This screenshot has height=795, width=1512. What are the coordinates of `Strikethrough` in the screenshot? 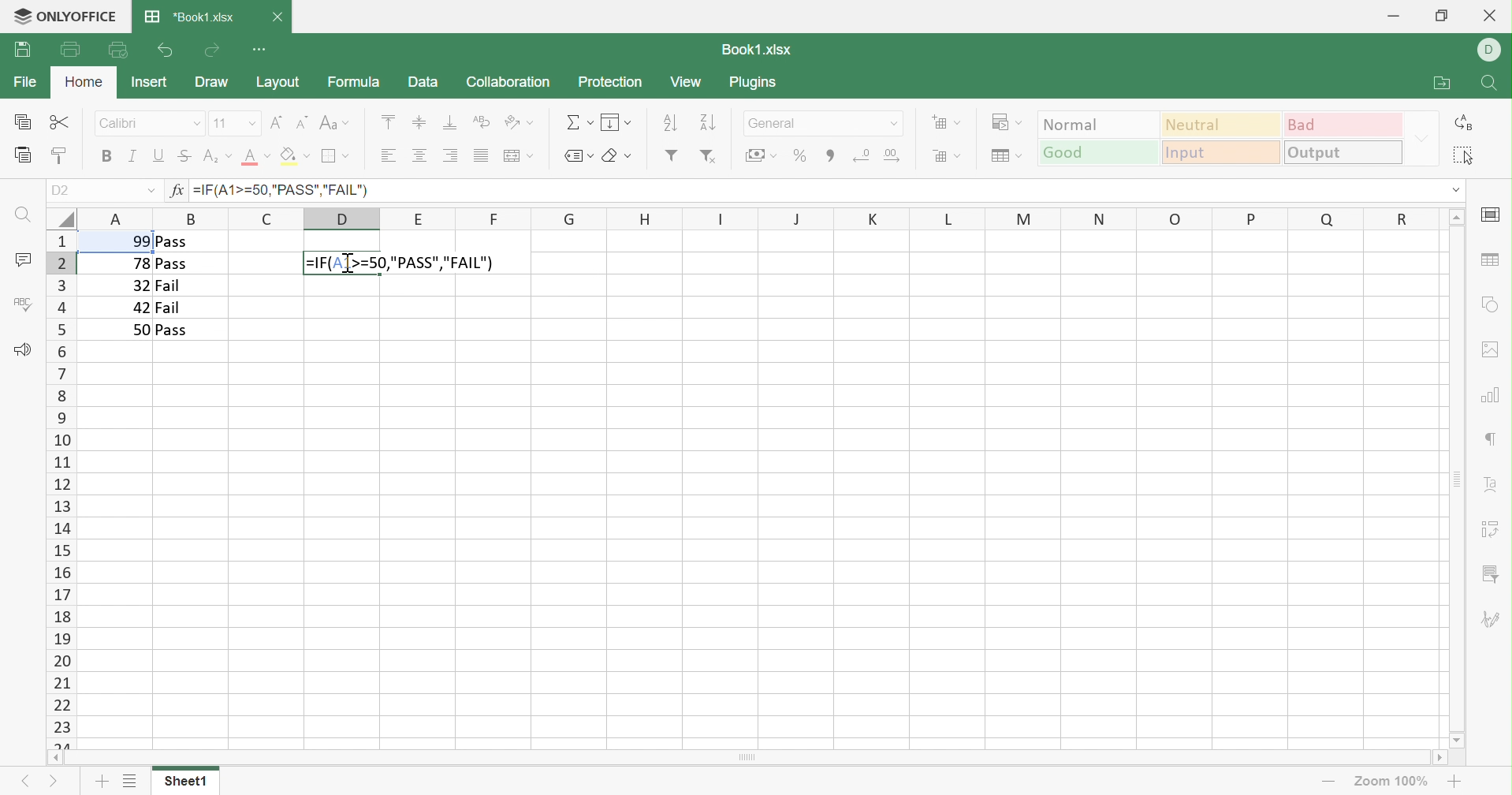 It's located at (184, 155).